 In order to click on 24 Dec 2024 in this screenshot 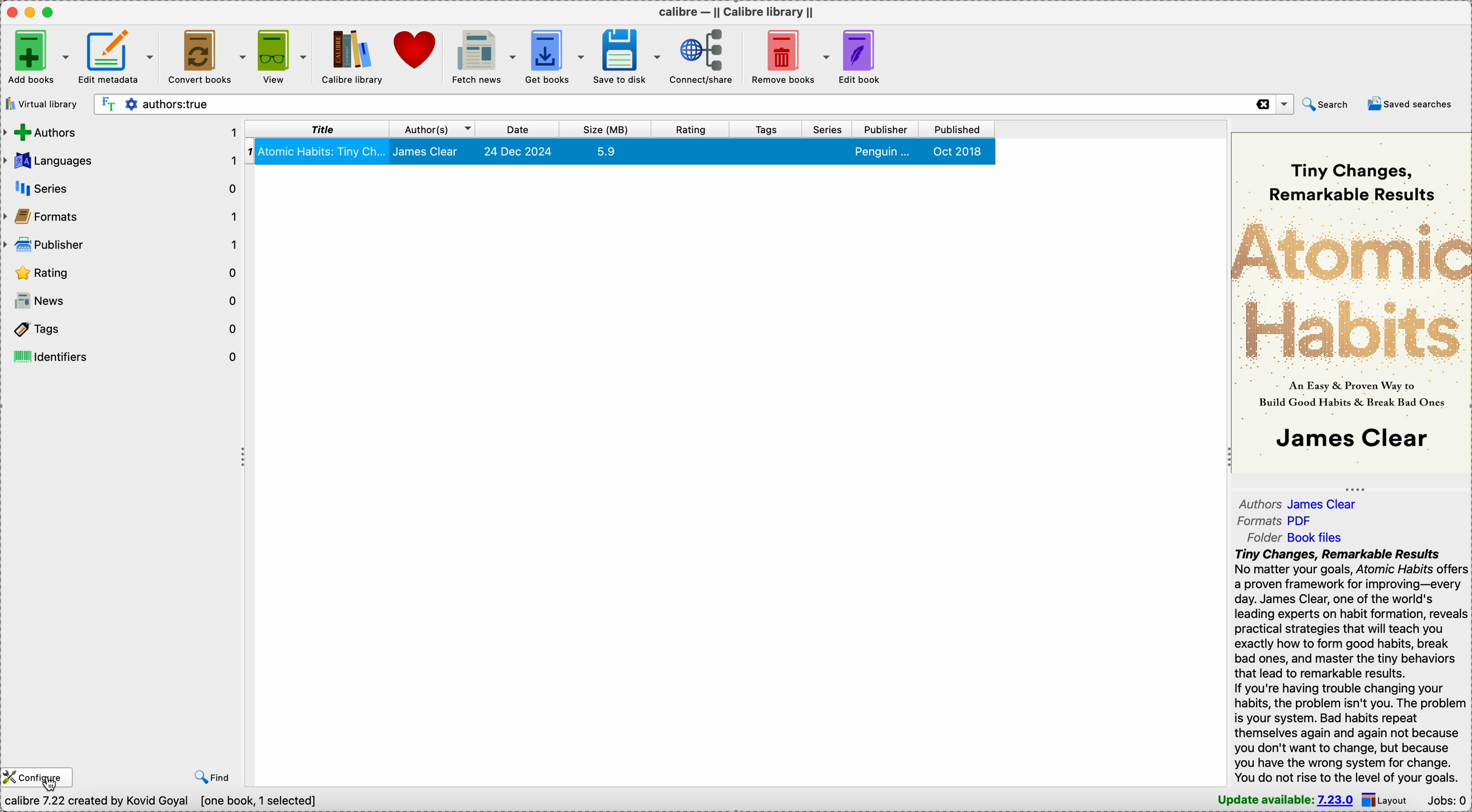, I will do `click(519, 153)`.